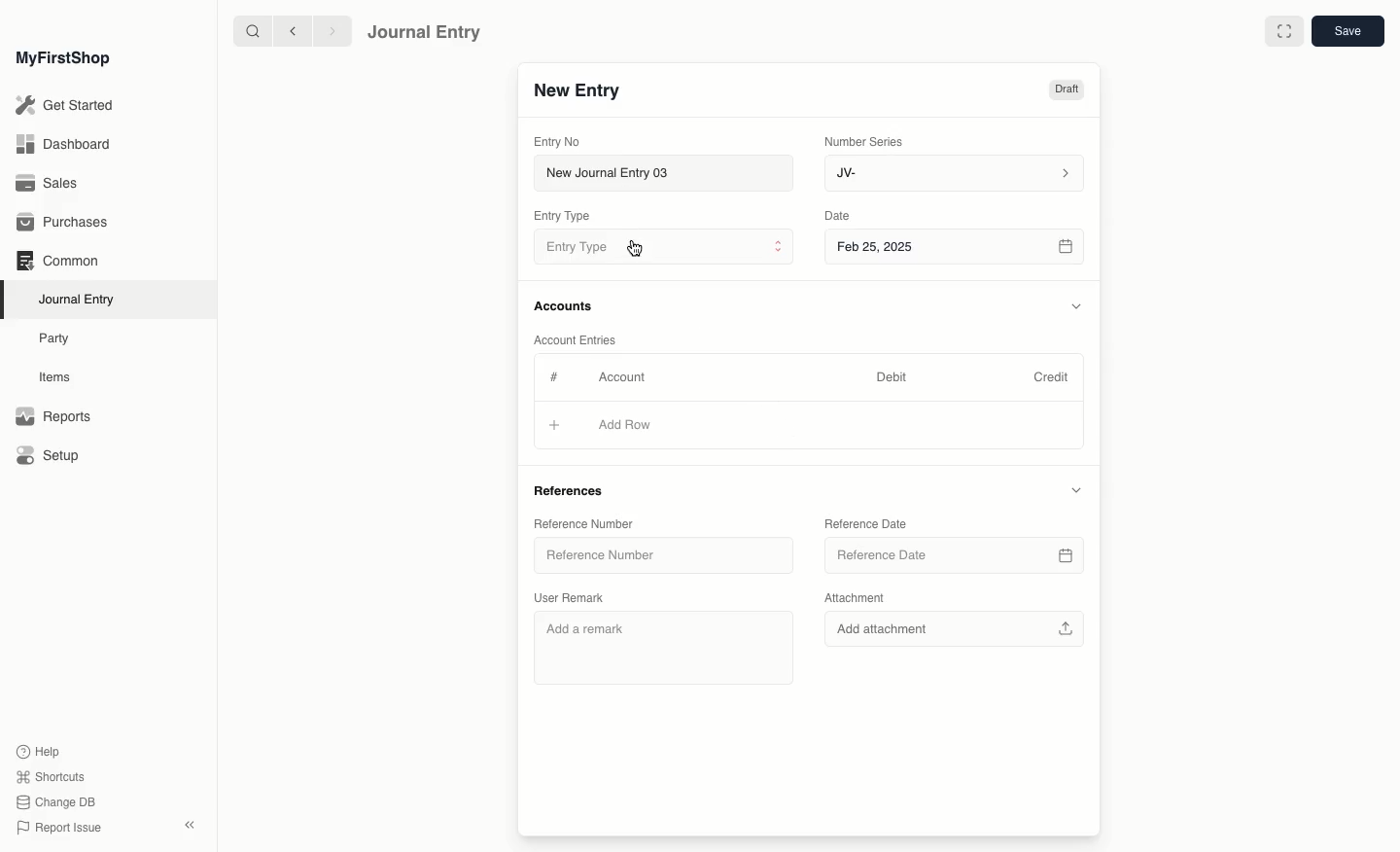 This screenshot has width=1400, height=852. I want to click on Reference Date, so click(954, 557).